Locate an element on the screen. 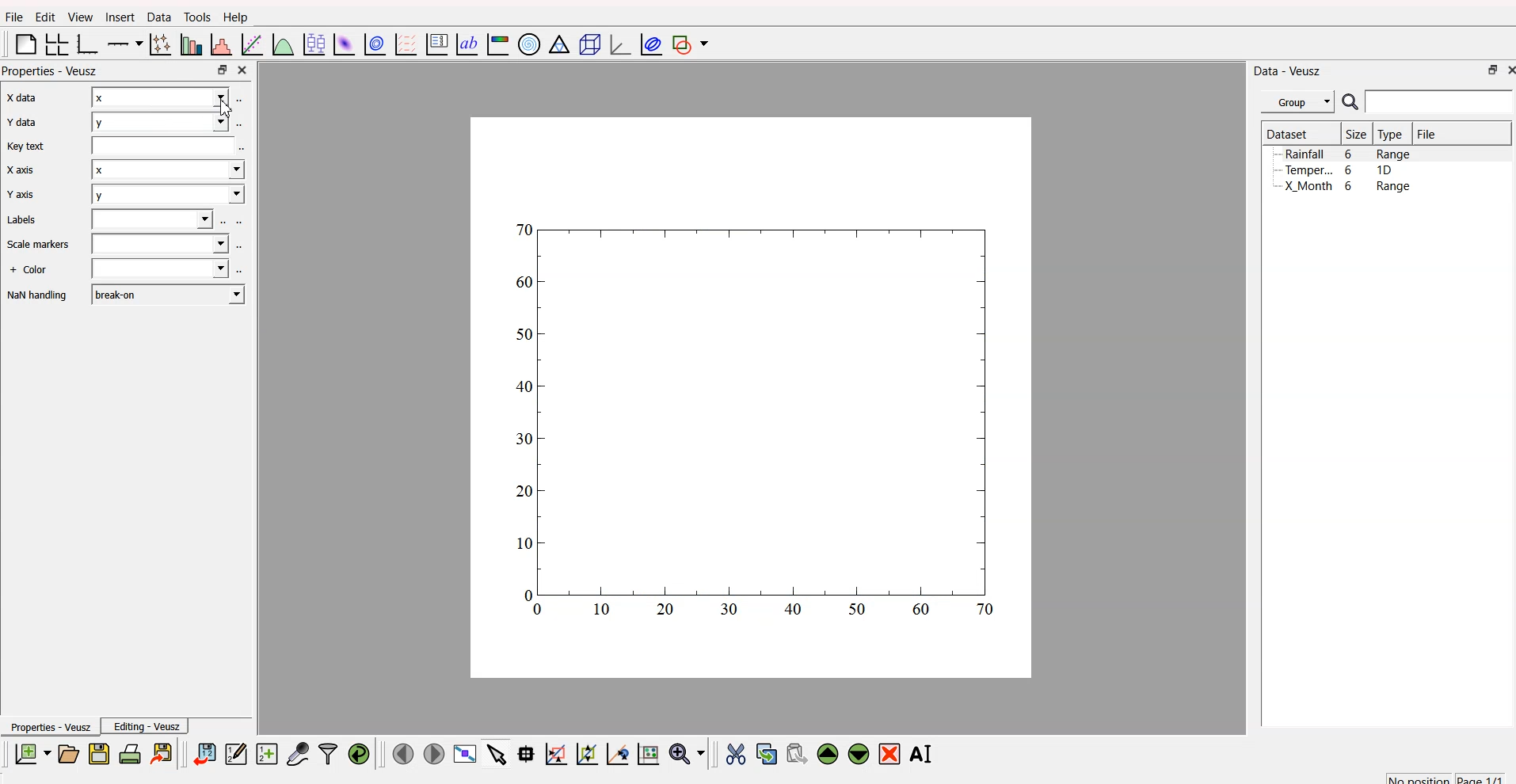 The width and height of the screenshot is (1516, 784). 3D graph is located at coordinates (615, 44).